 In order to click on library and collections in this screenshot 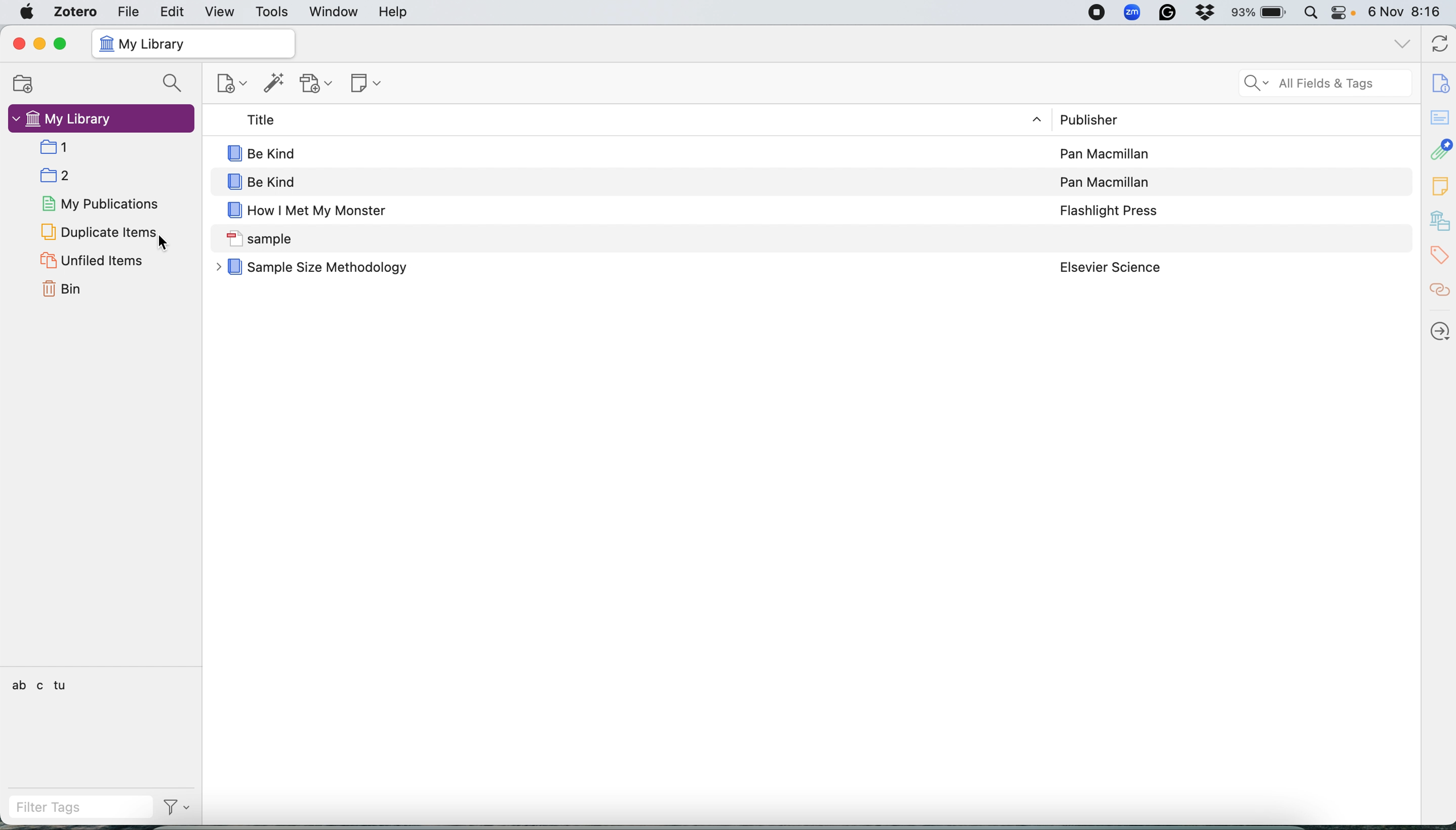, I will do `click(1439, 222)`.